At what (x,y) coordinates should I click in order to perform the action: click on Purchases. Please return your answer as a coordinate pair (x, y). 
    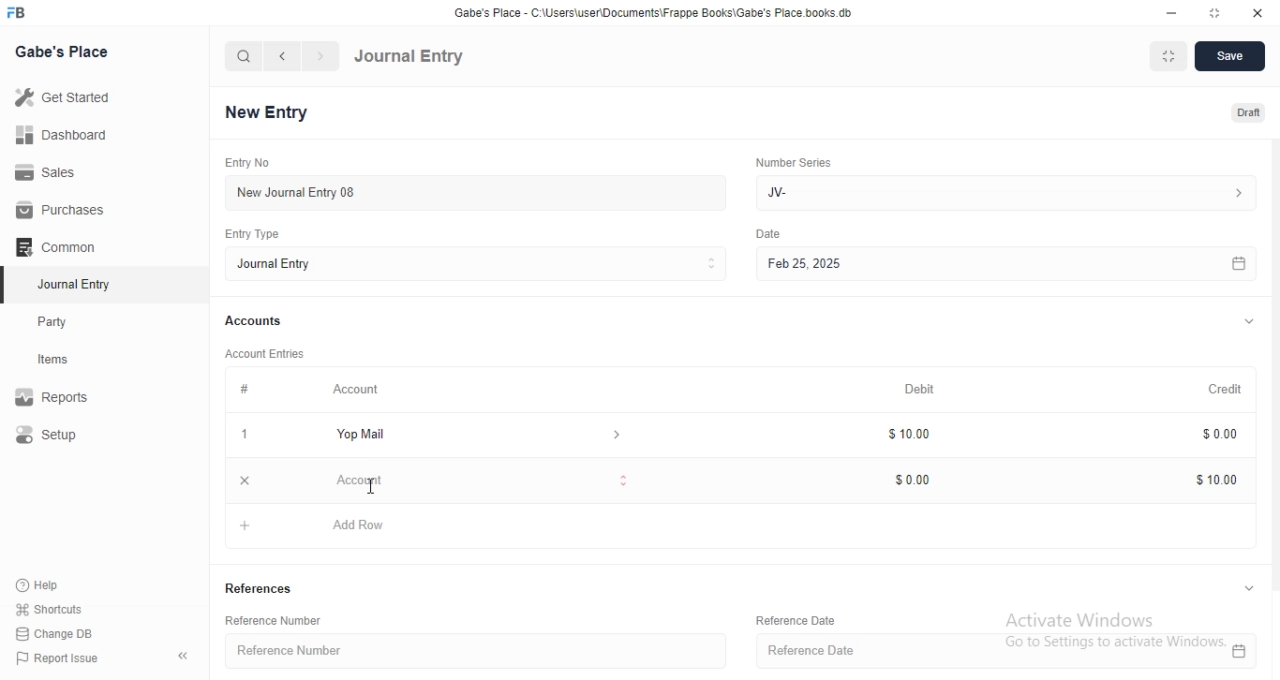
    Looking at the image, I should click on (58, 210).